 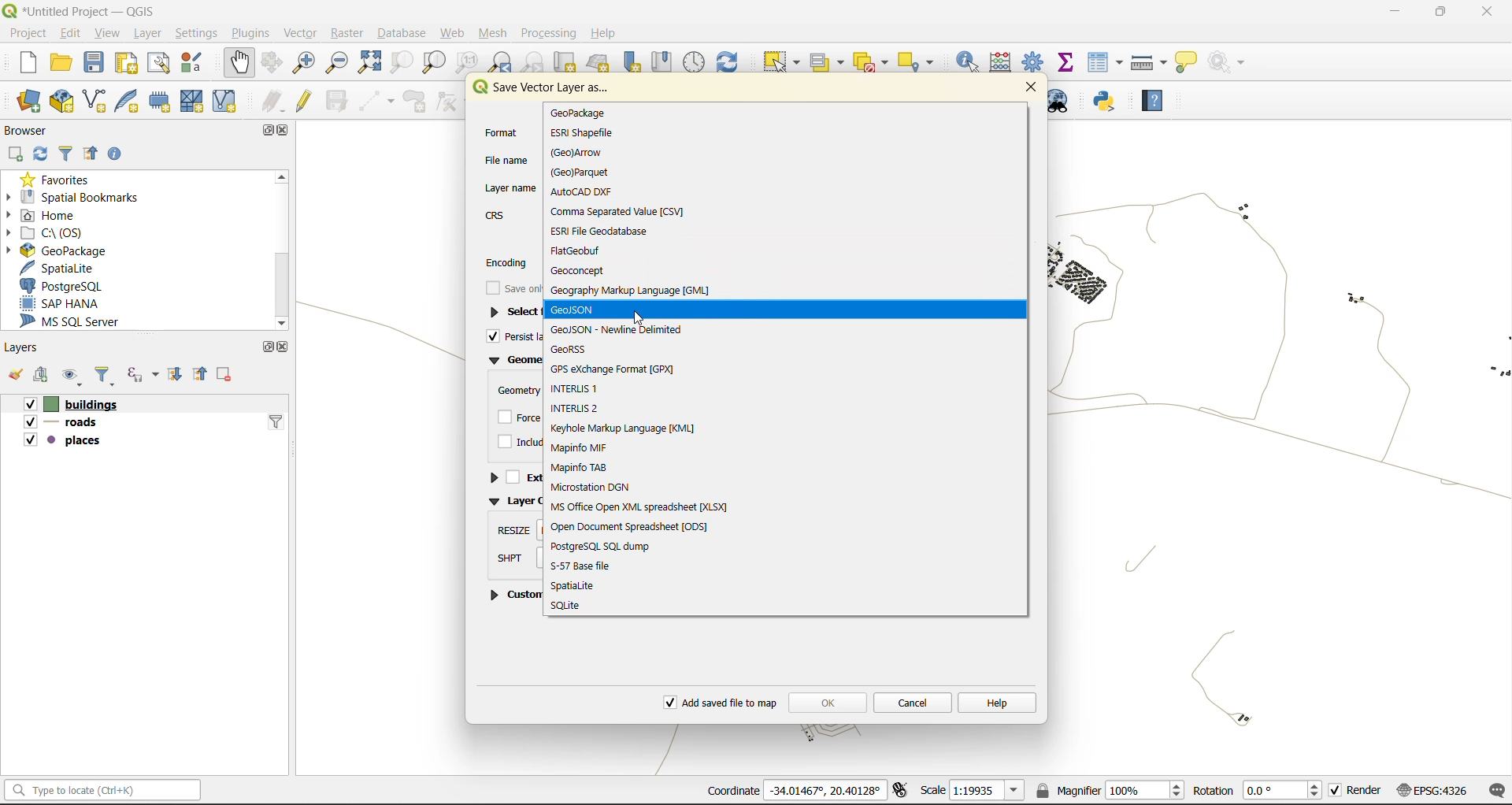 What do you see at coordinates (973, 791) in the screenshot?
I see `scale` at bounding box center [973, 791].